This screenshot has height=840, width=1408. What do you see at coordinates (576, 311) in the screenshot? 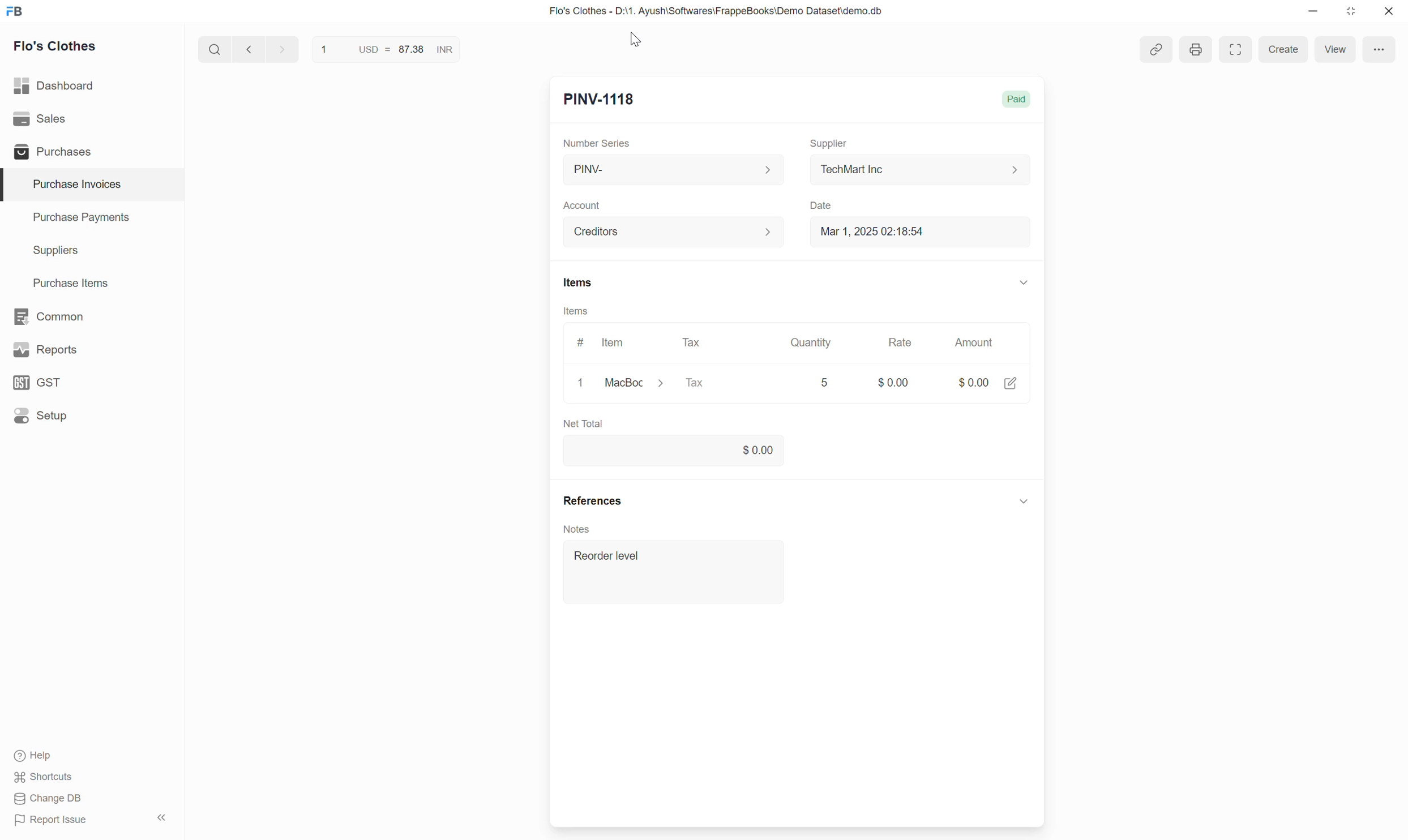
I see `Items` at bounding box center [576, 311].